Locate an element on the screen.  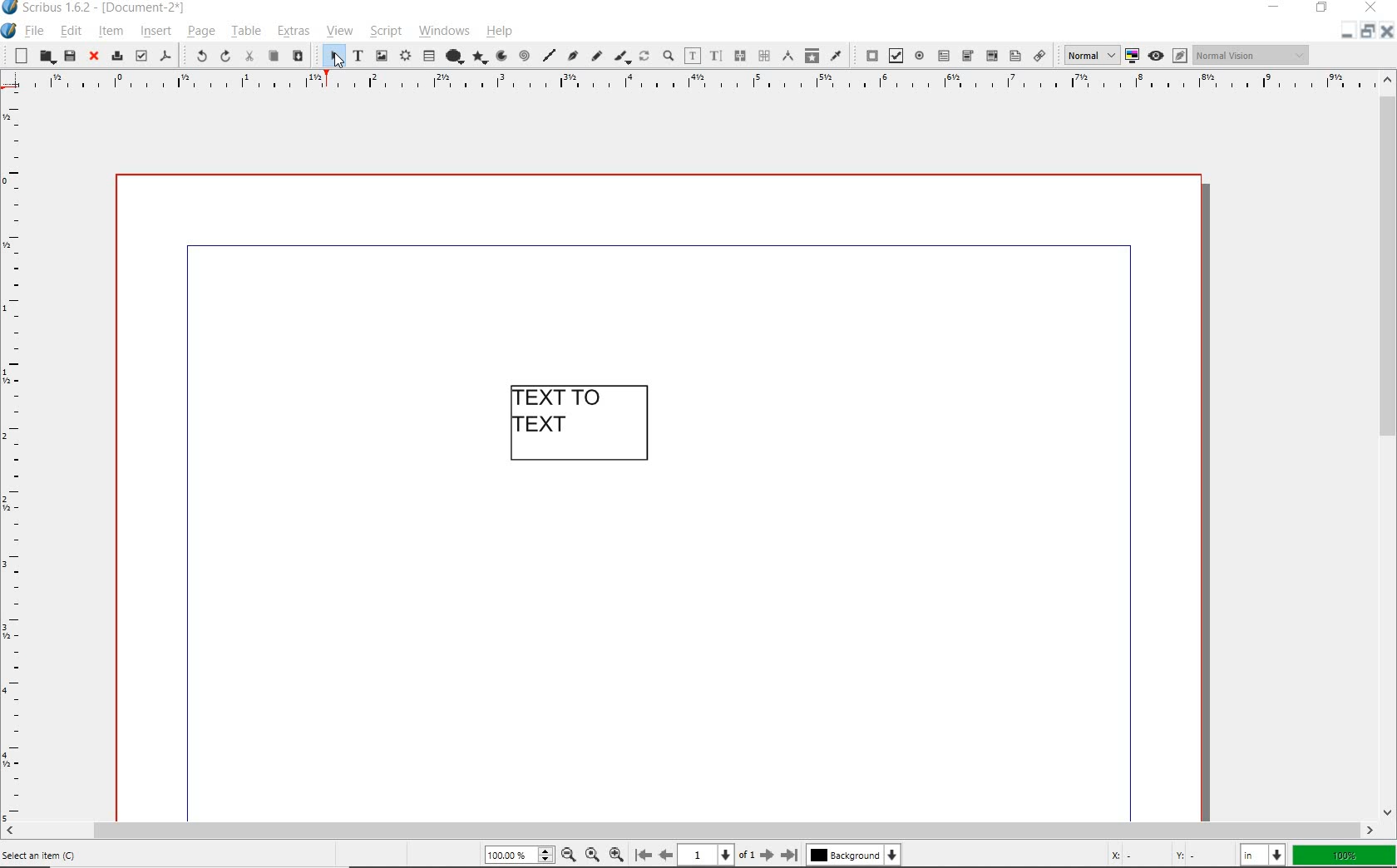
print is located at coordinates (116, 57).